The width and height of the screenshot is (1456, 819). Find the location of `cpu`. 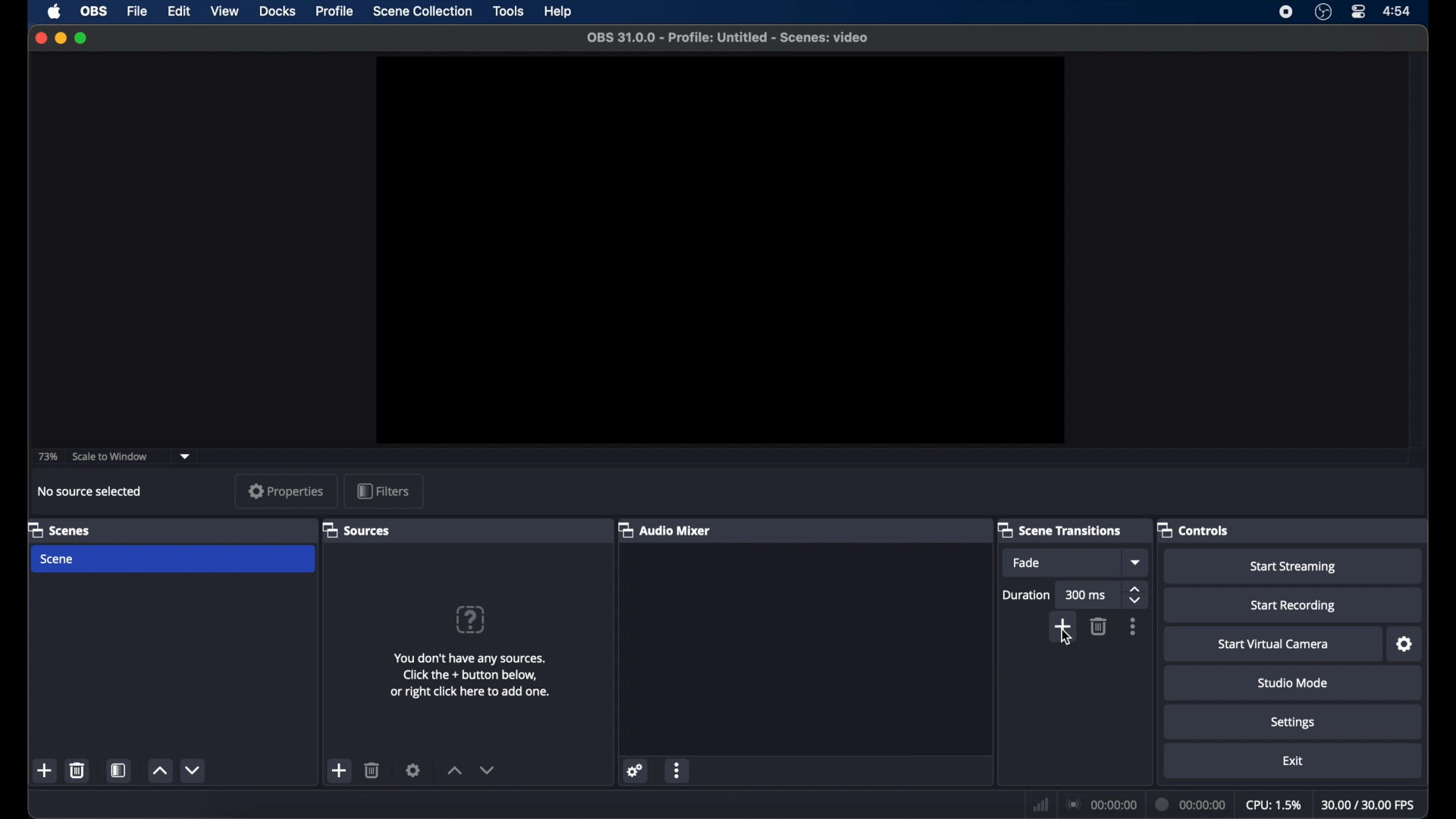

cpu is located at coordinates (1273, 805).